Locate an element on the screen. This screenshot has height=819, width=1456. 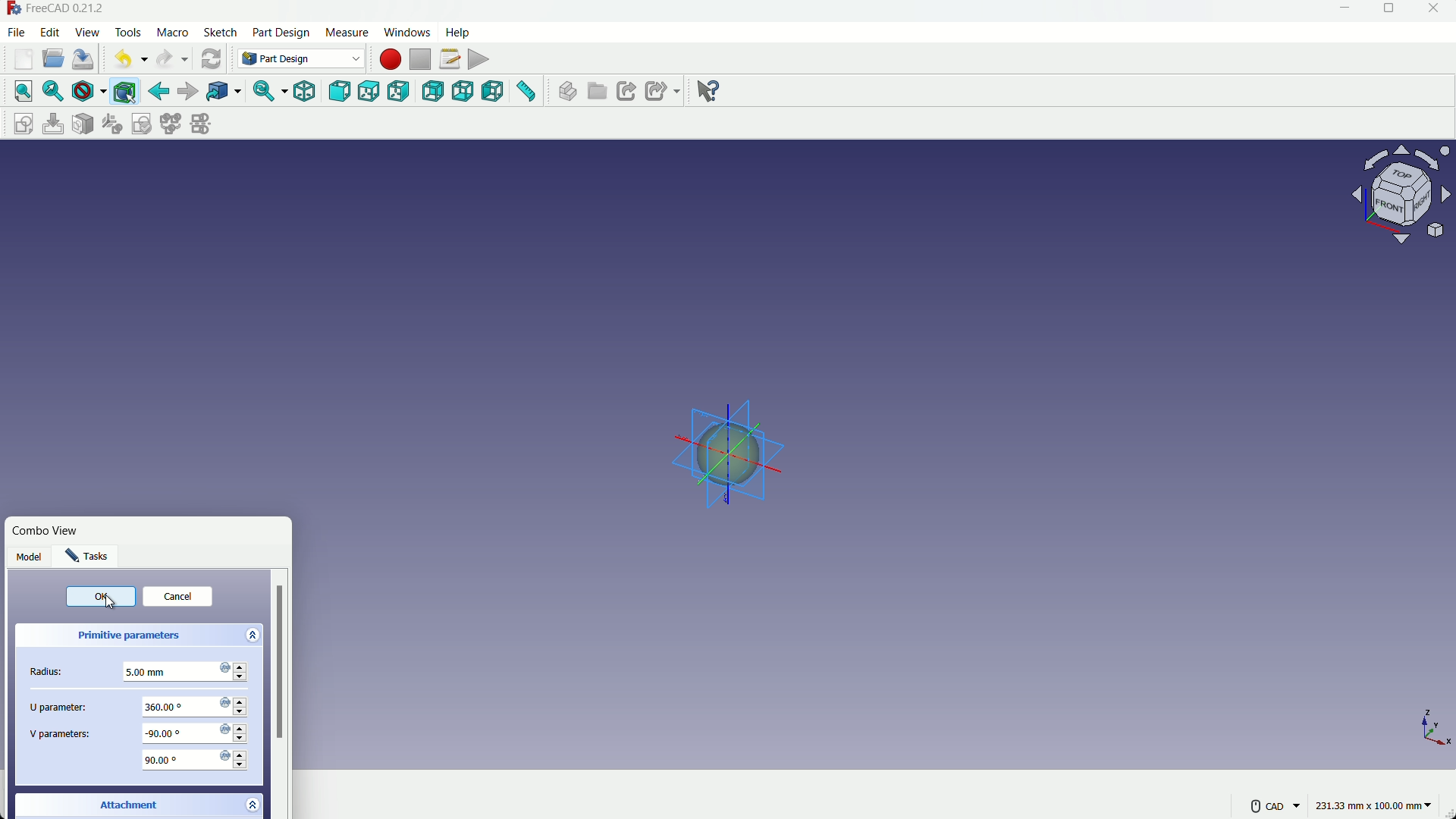
stop macros is located at coordinates (422, 60).